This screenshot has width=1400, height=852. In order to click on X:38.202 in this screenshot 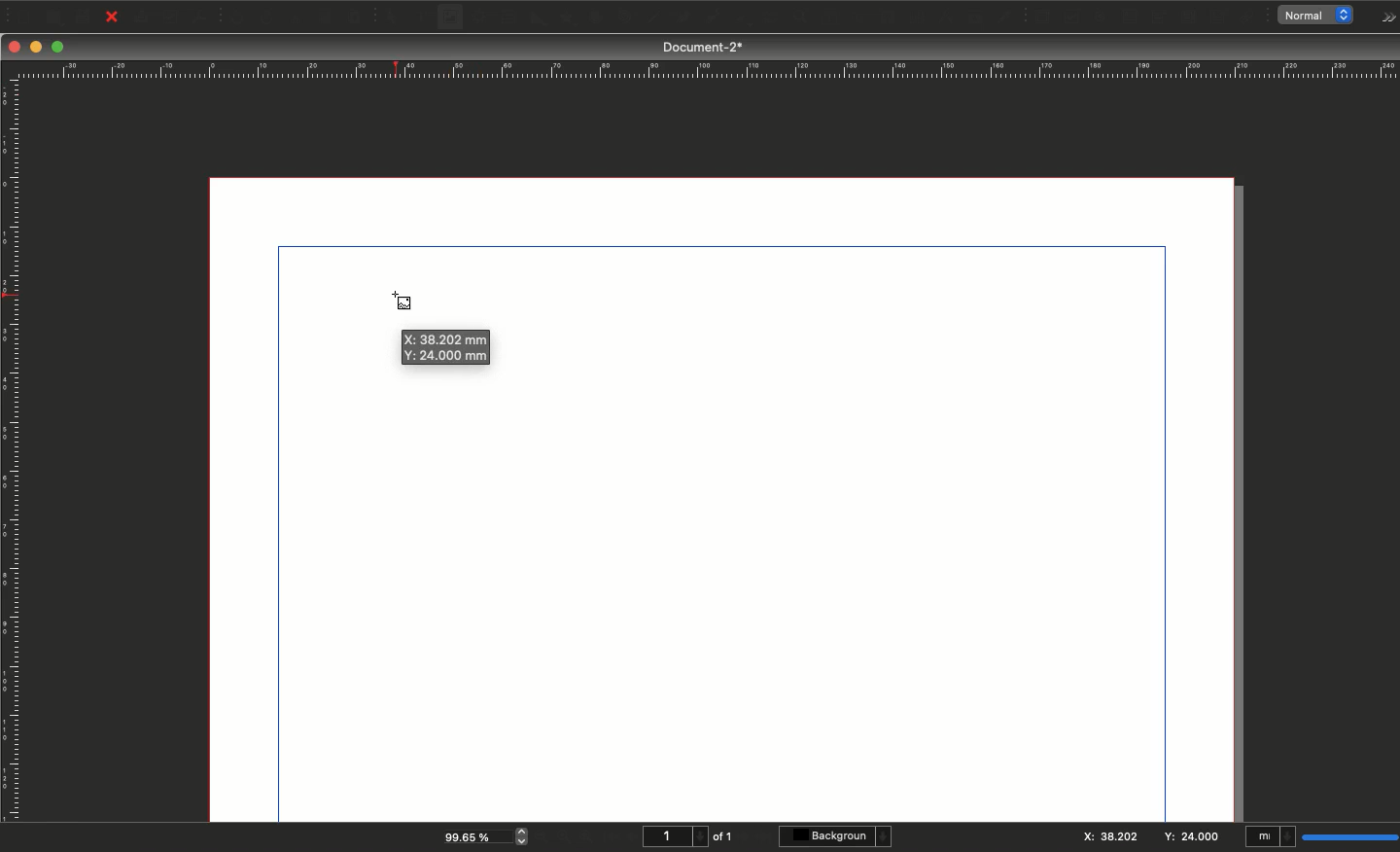, I will do `click(1107, 836)`.